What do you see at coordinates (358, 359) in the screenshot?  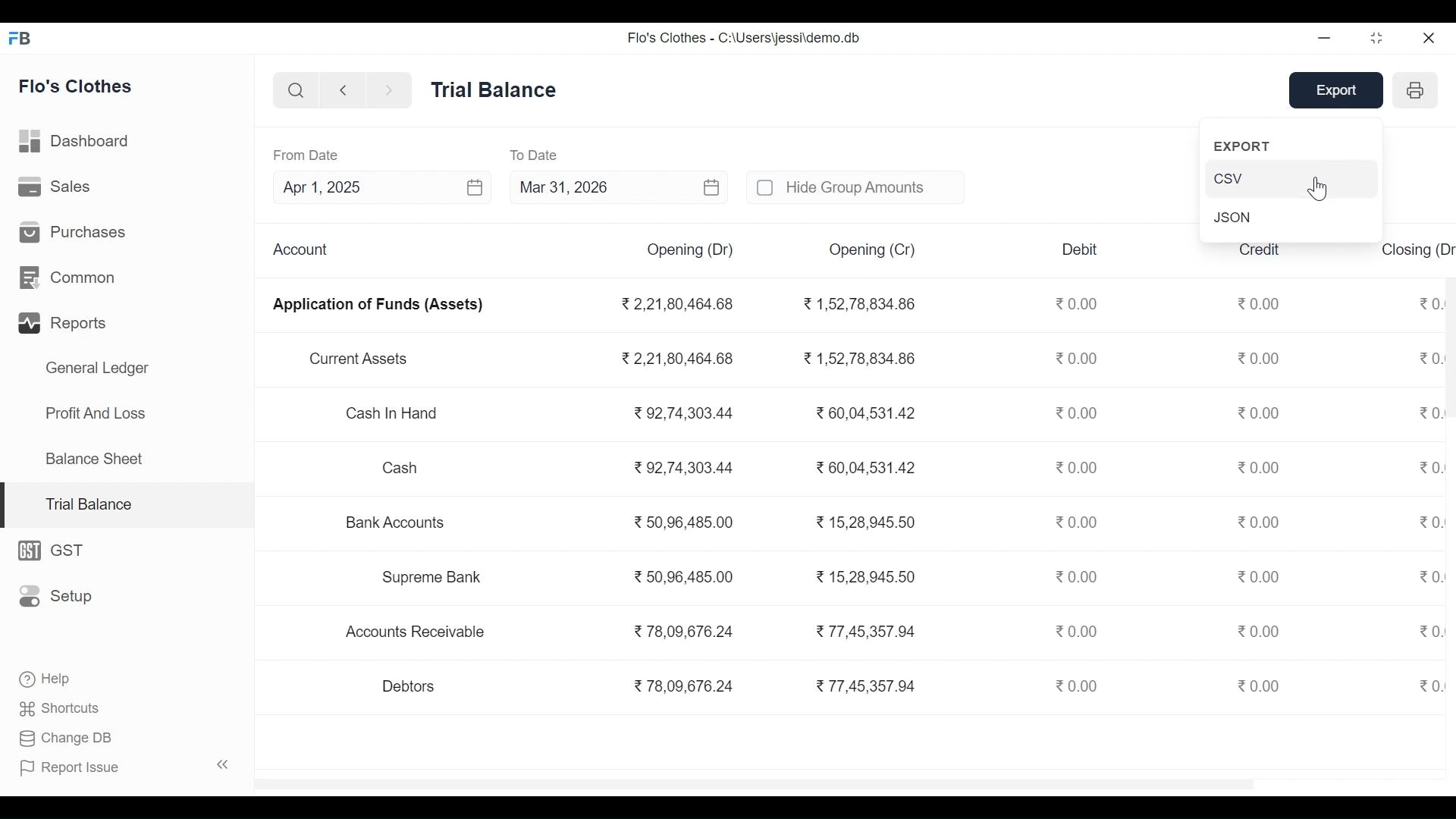 I see `Current Assets` at bounding box center [358, 359].